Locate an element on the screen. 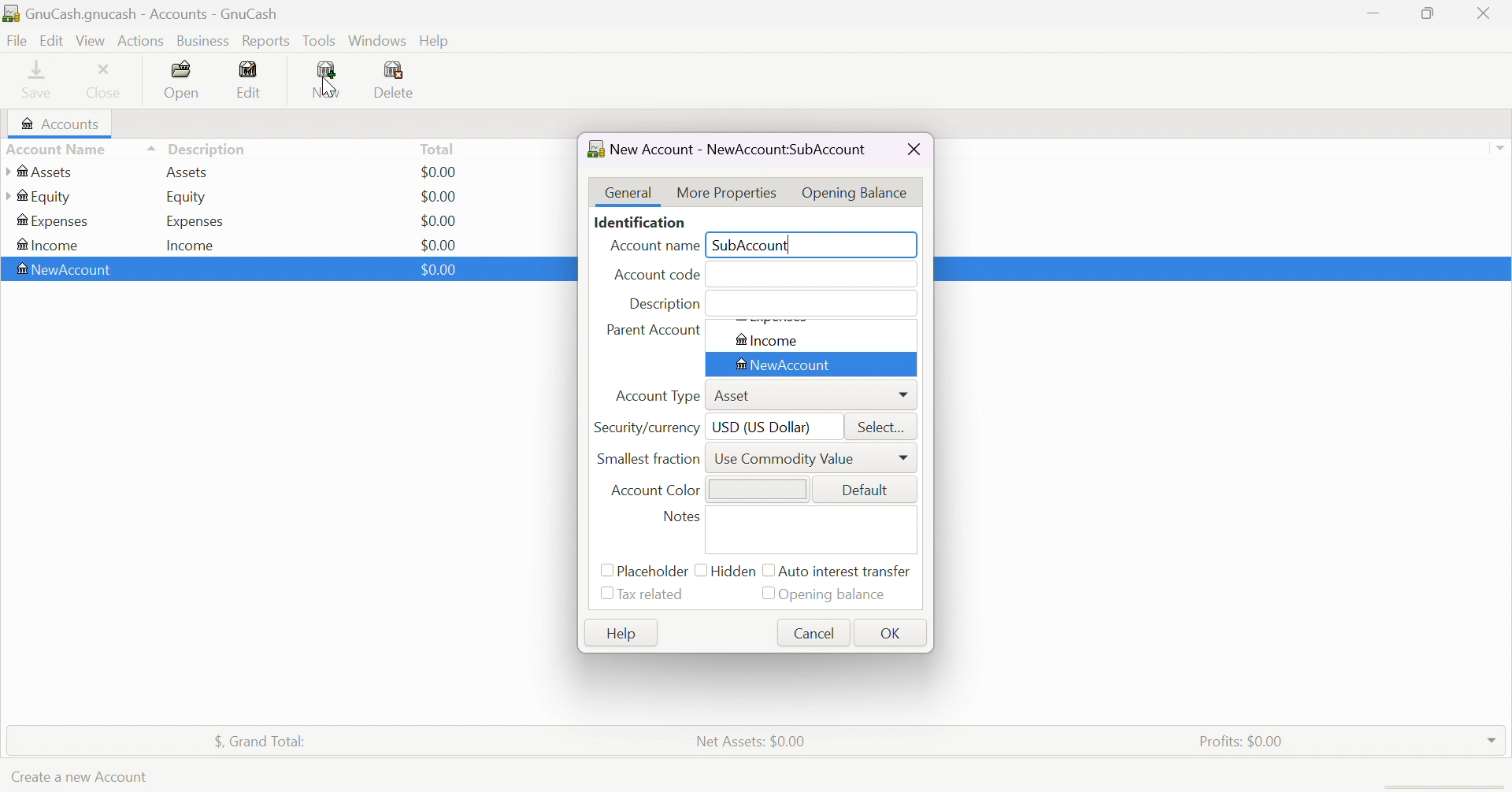 This screenshot has height=792, width=1512. Expenses is located at coordinates (55, 221).